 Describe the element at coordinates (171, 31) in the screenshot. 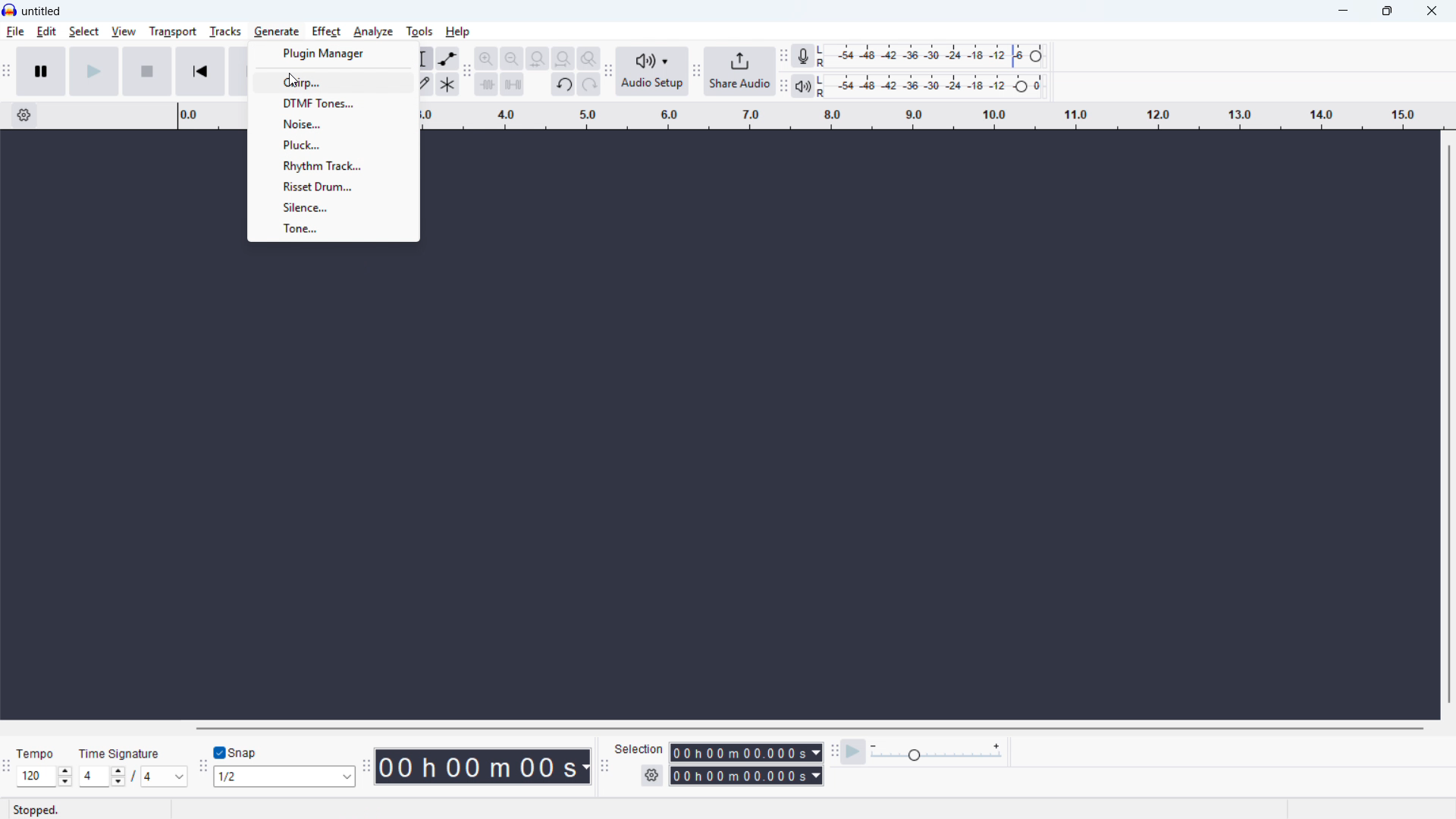

I see `Transport ` at that location.